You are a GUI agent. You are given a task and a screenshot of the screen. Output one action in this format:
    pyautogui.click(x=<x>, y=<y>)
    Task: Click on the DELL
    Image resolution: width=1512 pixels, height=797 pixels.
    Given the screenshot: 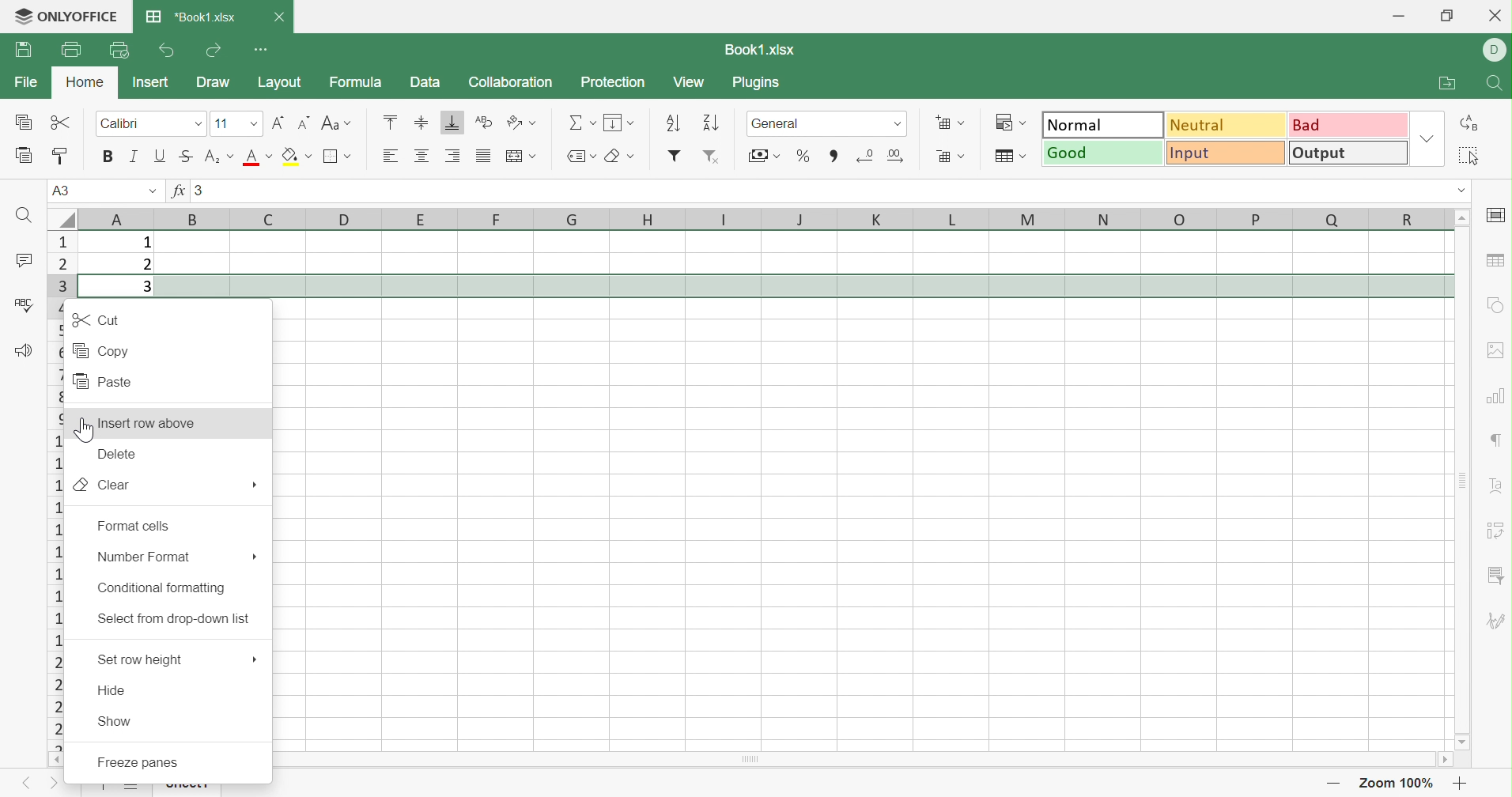 What is the action you would take?
    pyautogui.click(x=1494, y=51)
    